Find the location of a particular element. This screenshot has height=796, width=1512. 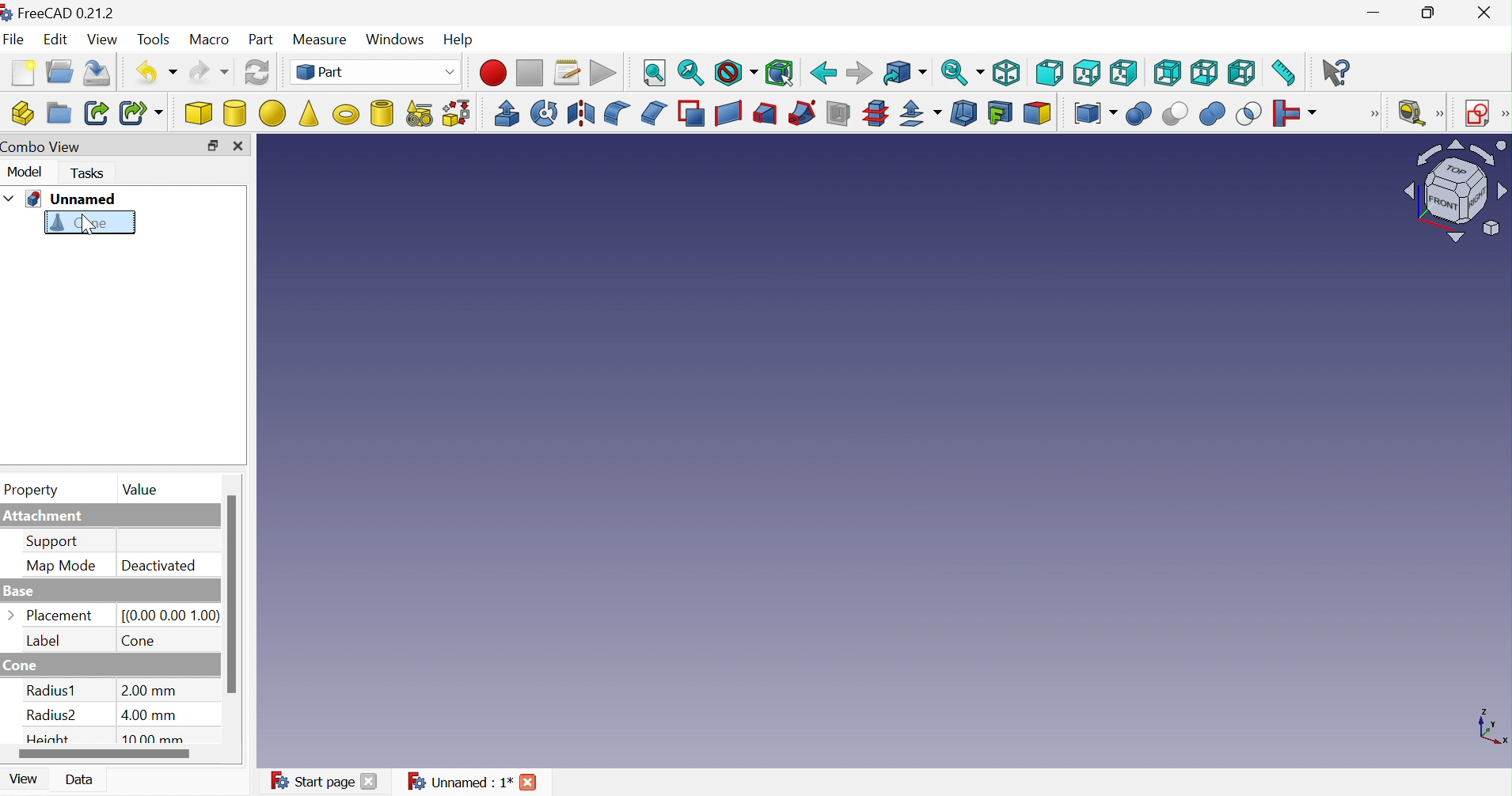

Drop down is located at coordinates (9, 198).